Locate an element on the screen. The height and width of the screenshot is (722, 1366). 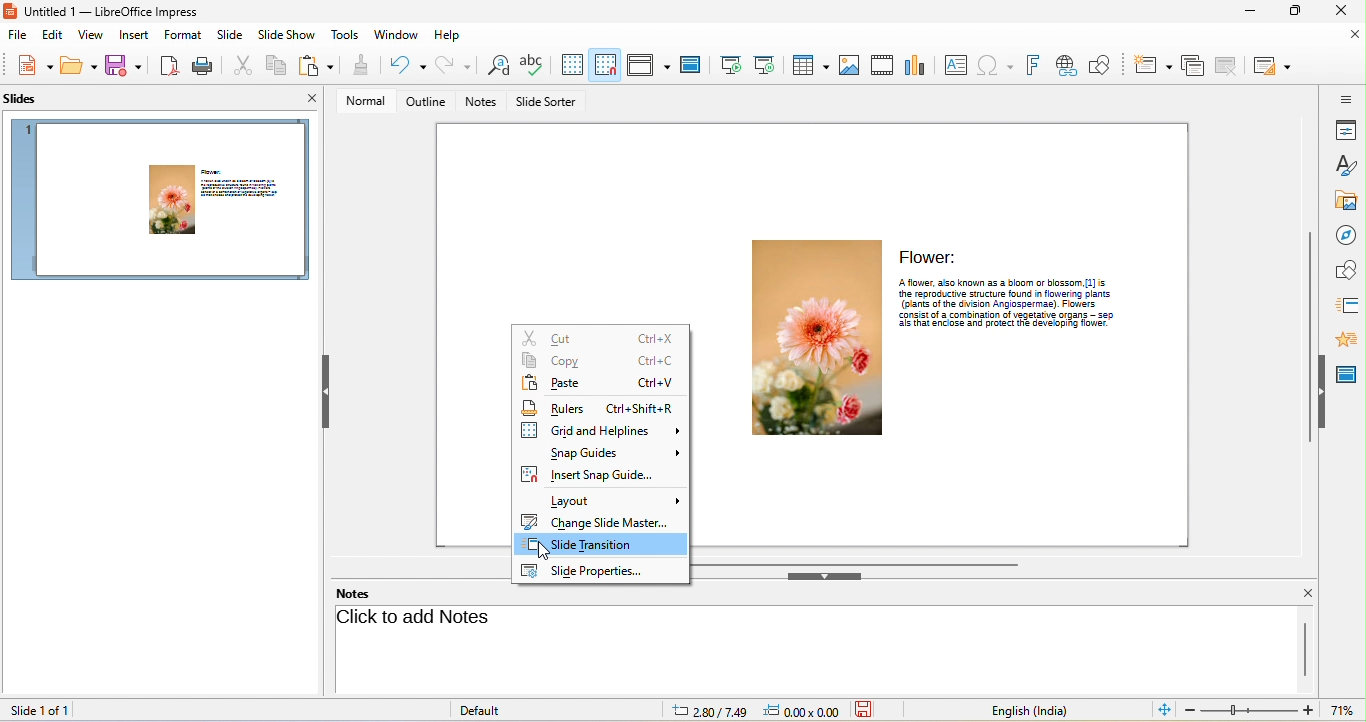
redo is located at coordinates (455, 66).